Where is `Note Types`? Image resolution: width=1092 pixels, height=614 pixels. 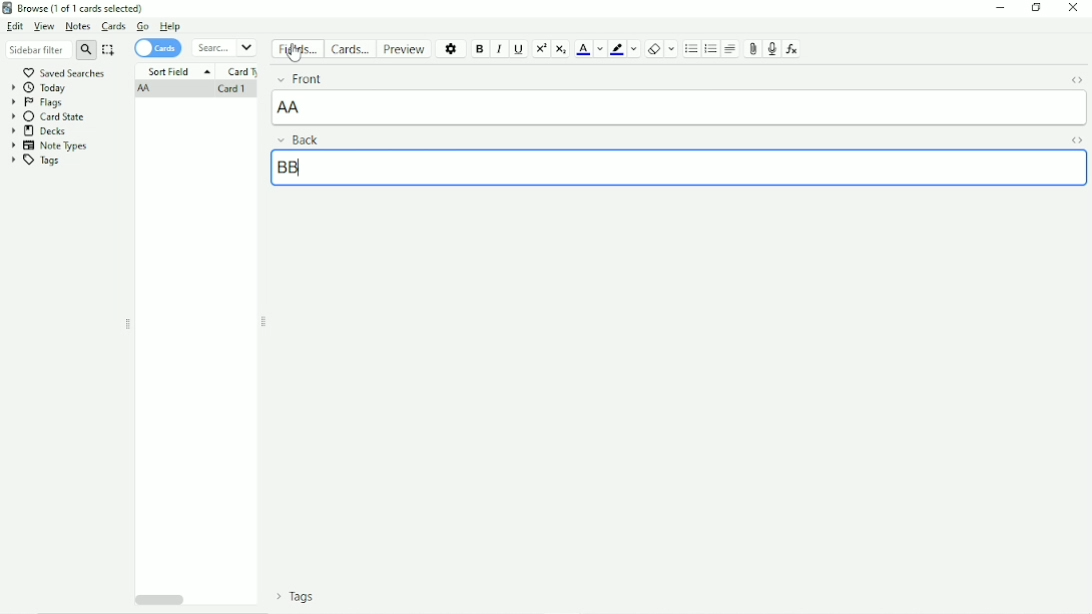 Note Types is located at coordinates (50, 146).